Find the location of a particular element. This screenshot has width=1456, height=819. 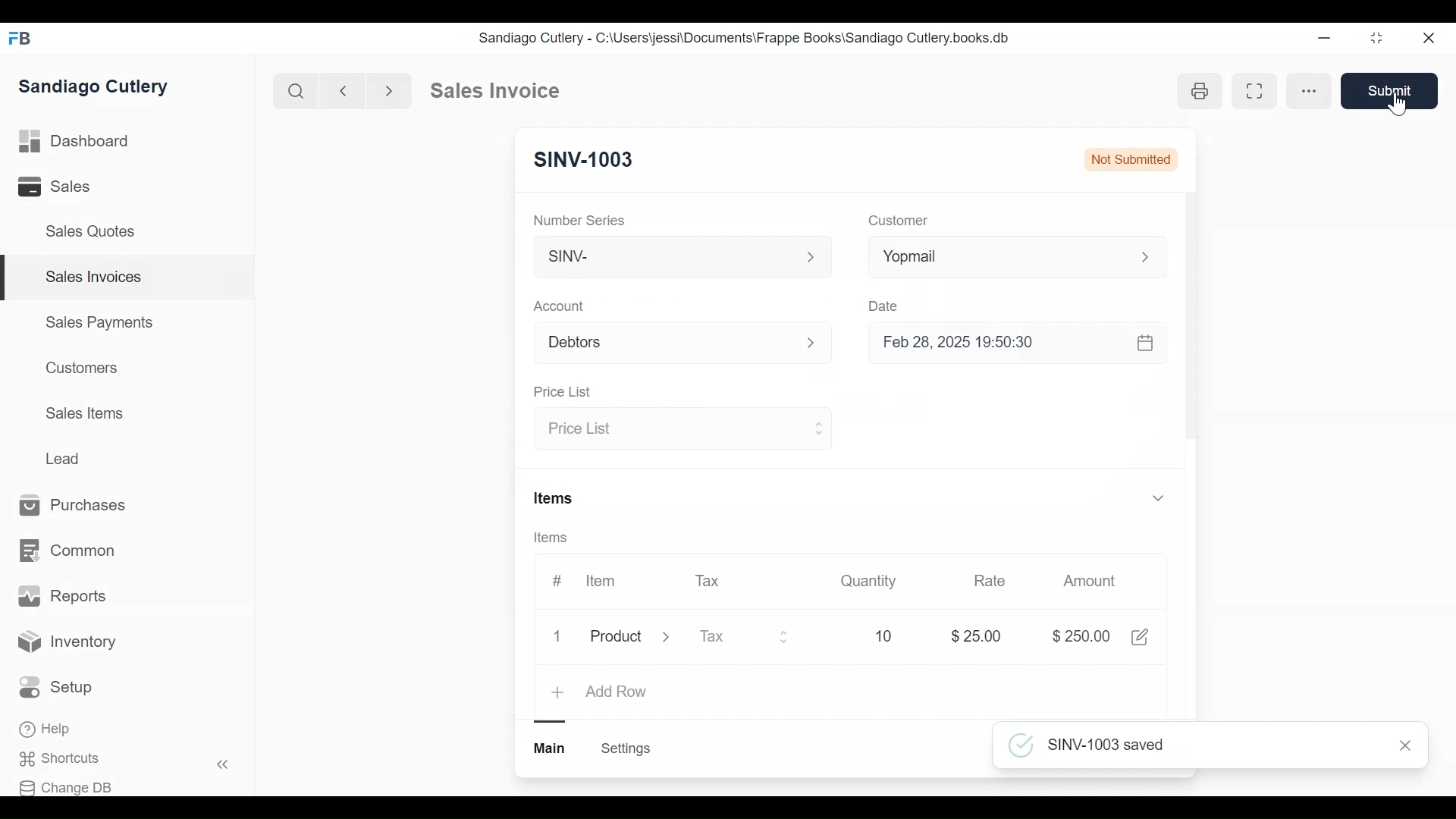

Setup is located at coordinates (56, 687).